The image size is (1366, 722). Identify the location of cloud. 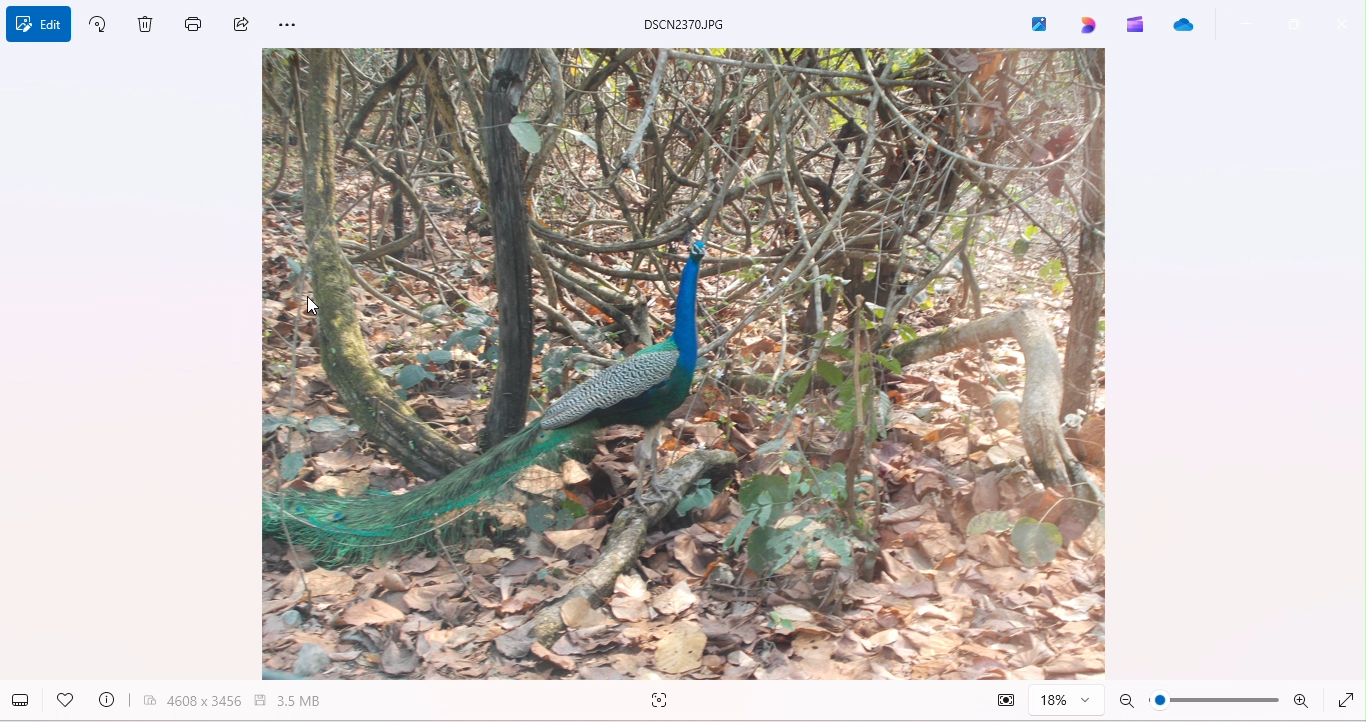
(1186, 27).